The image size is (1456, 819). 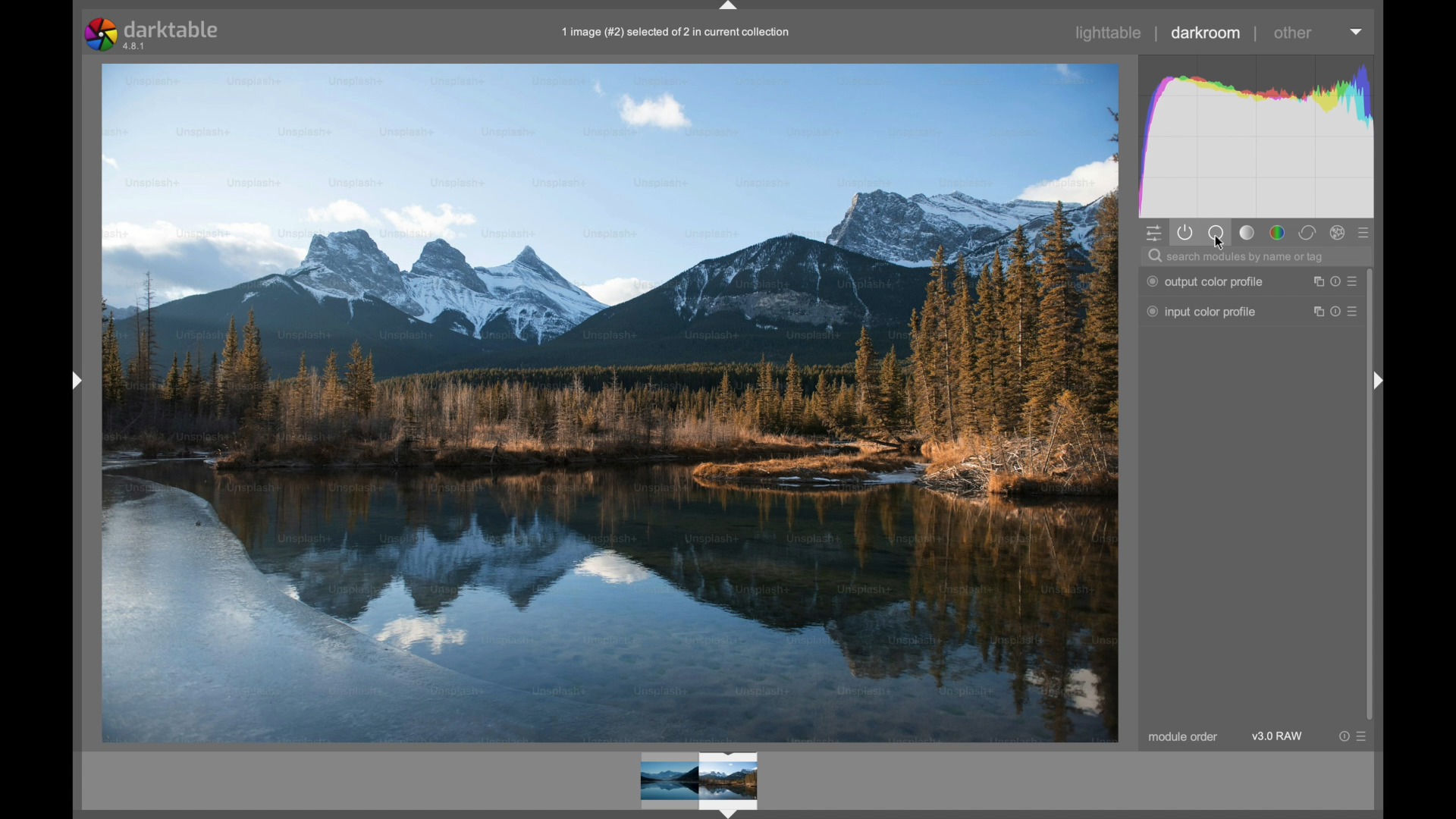 What do you see at coordinates (152, 34) in the screenshot?
I see `darktable 4.8.1` at bounding box center [152, 34].